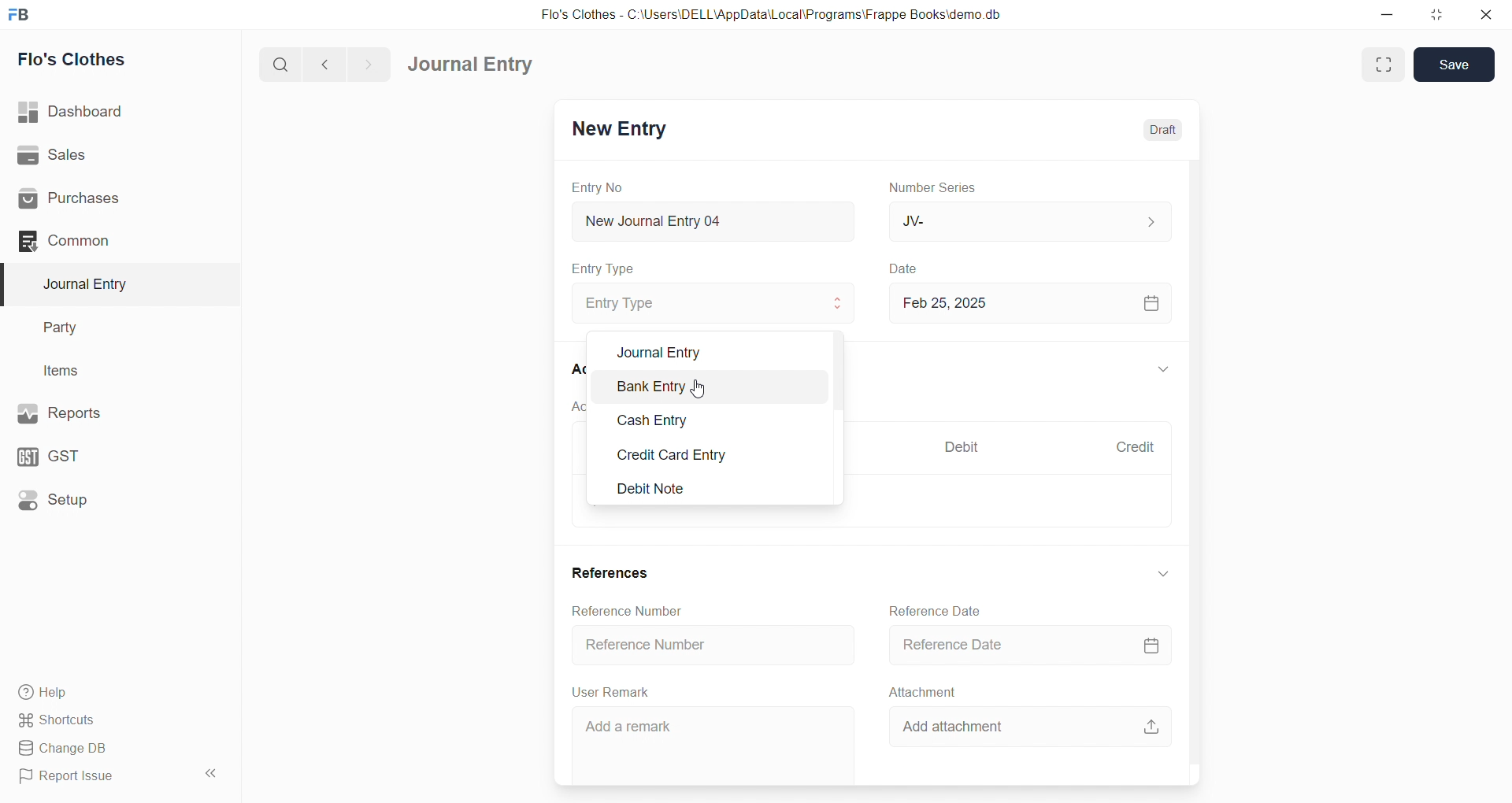 The image size is (1512, 803). Describe the element at coordinates (614, 574) in the screenshot. I see `References` at that location.